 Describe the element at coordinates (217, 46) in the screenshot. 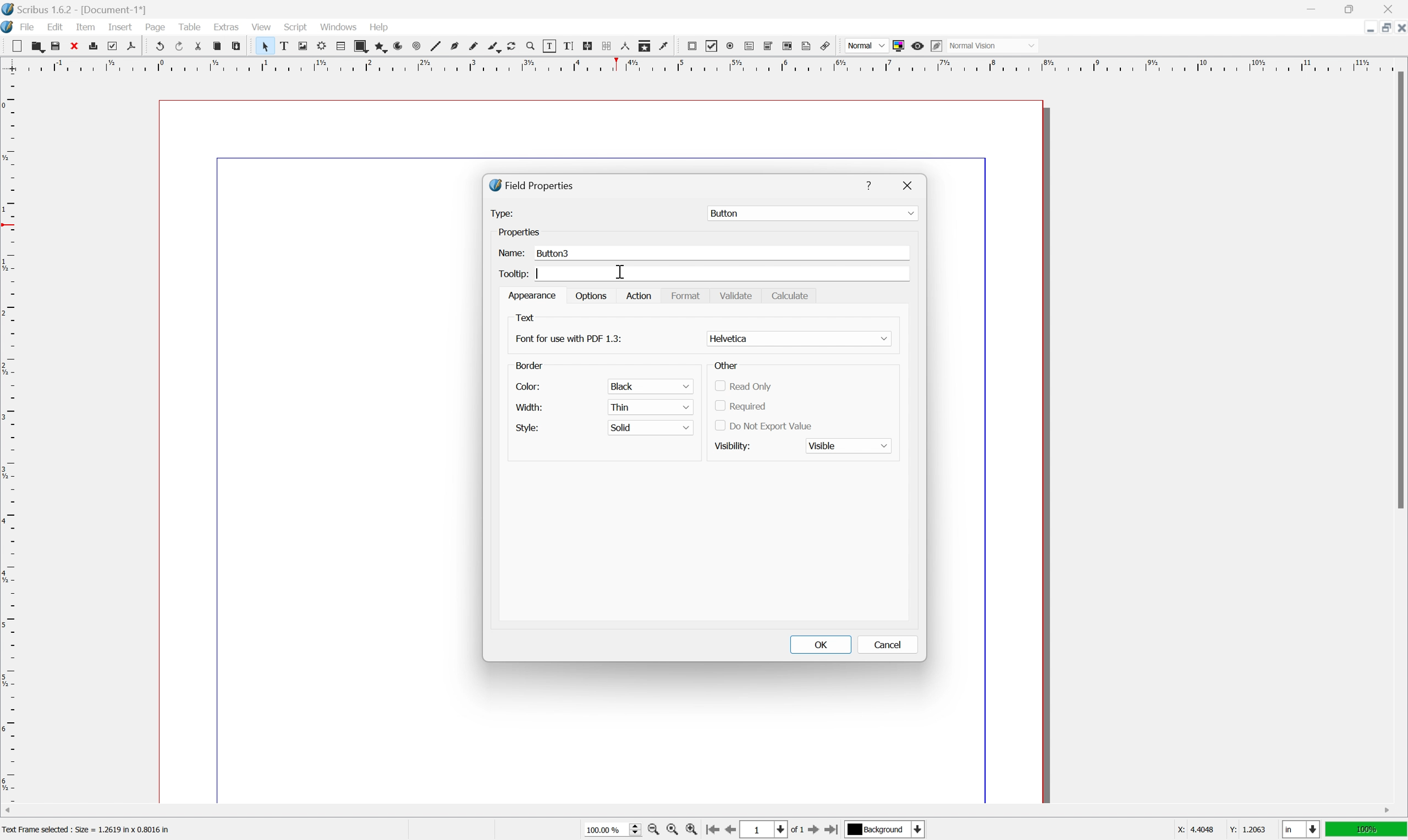

I see `copy` at that location.